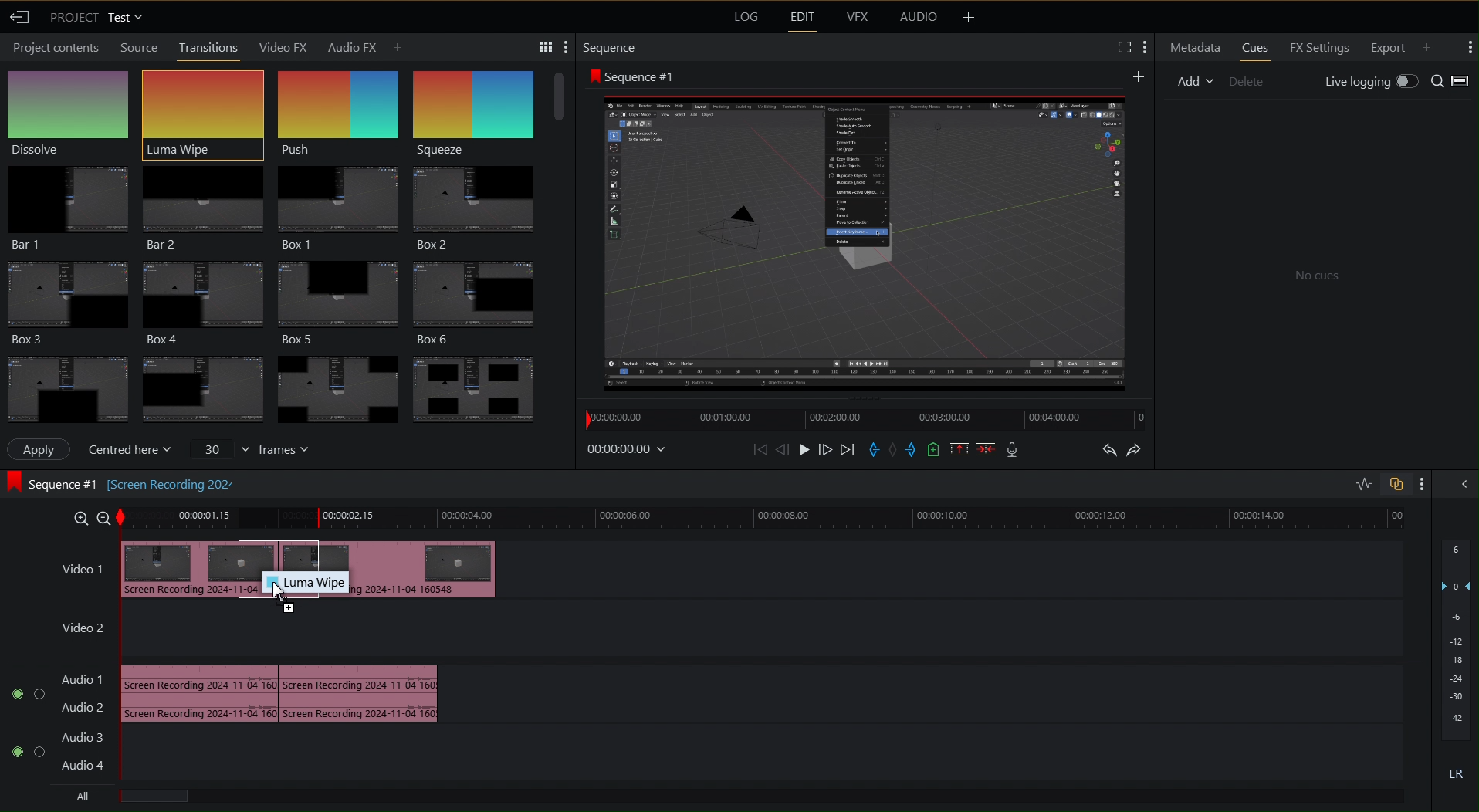  Describe the element at coordinates (865, 241) in the screenshot. I see `Preview` at that location.